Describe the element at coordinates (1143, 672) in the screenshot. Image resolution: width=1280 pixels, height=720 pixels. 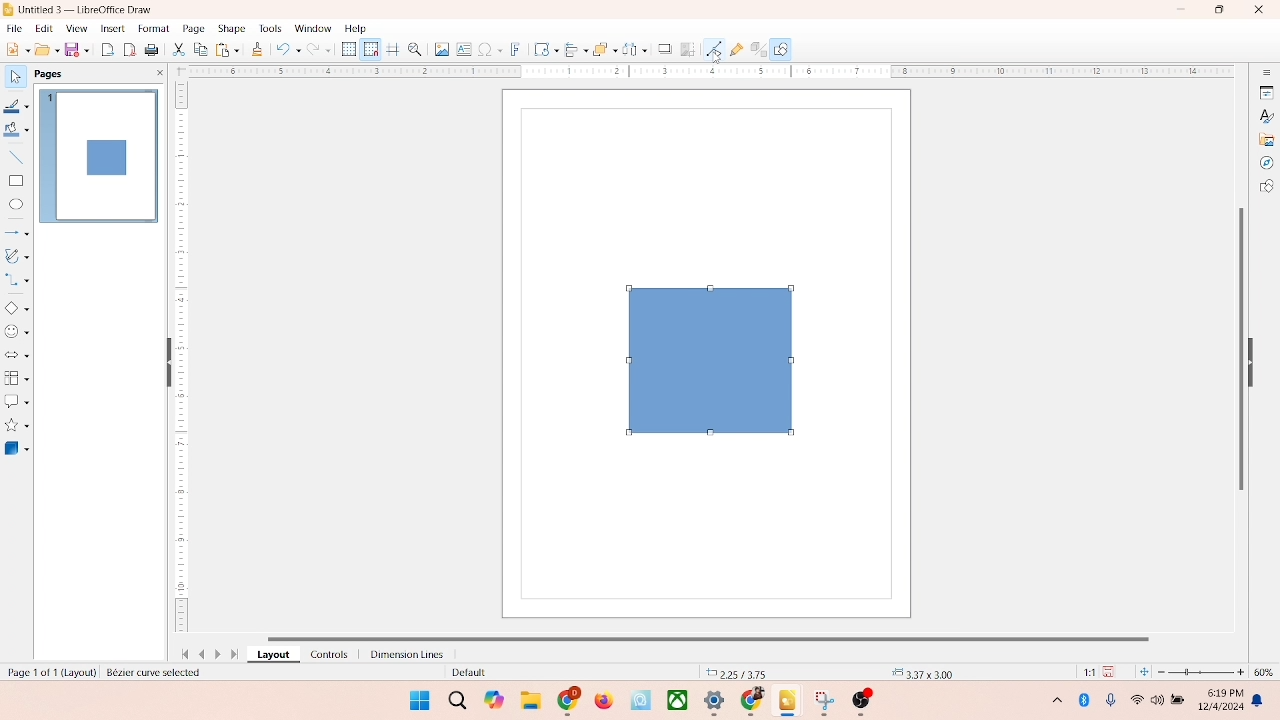
I see `fit to current window` at that location.